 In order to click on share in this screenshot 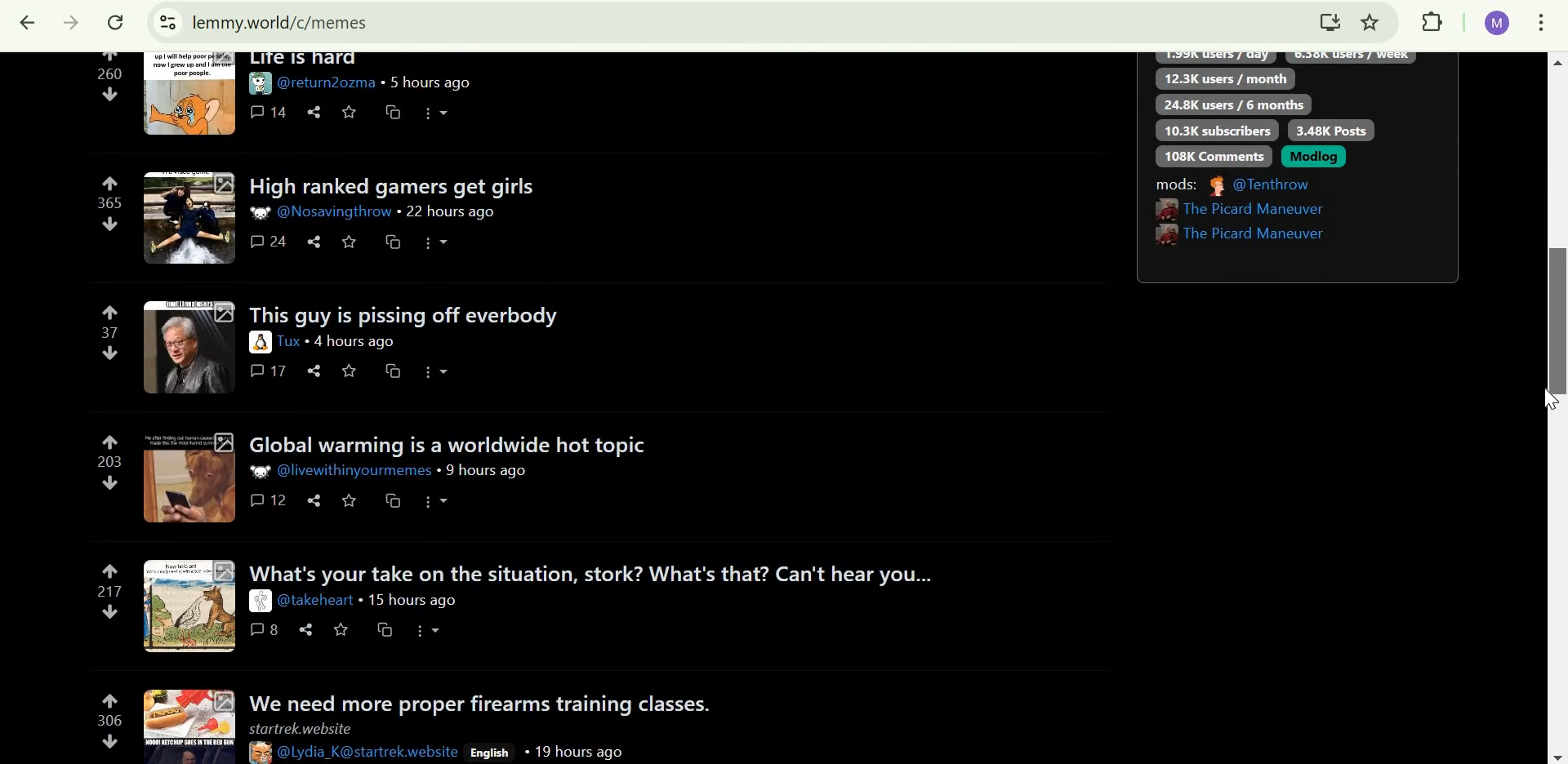, I will do `click(317, 111)`.